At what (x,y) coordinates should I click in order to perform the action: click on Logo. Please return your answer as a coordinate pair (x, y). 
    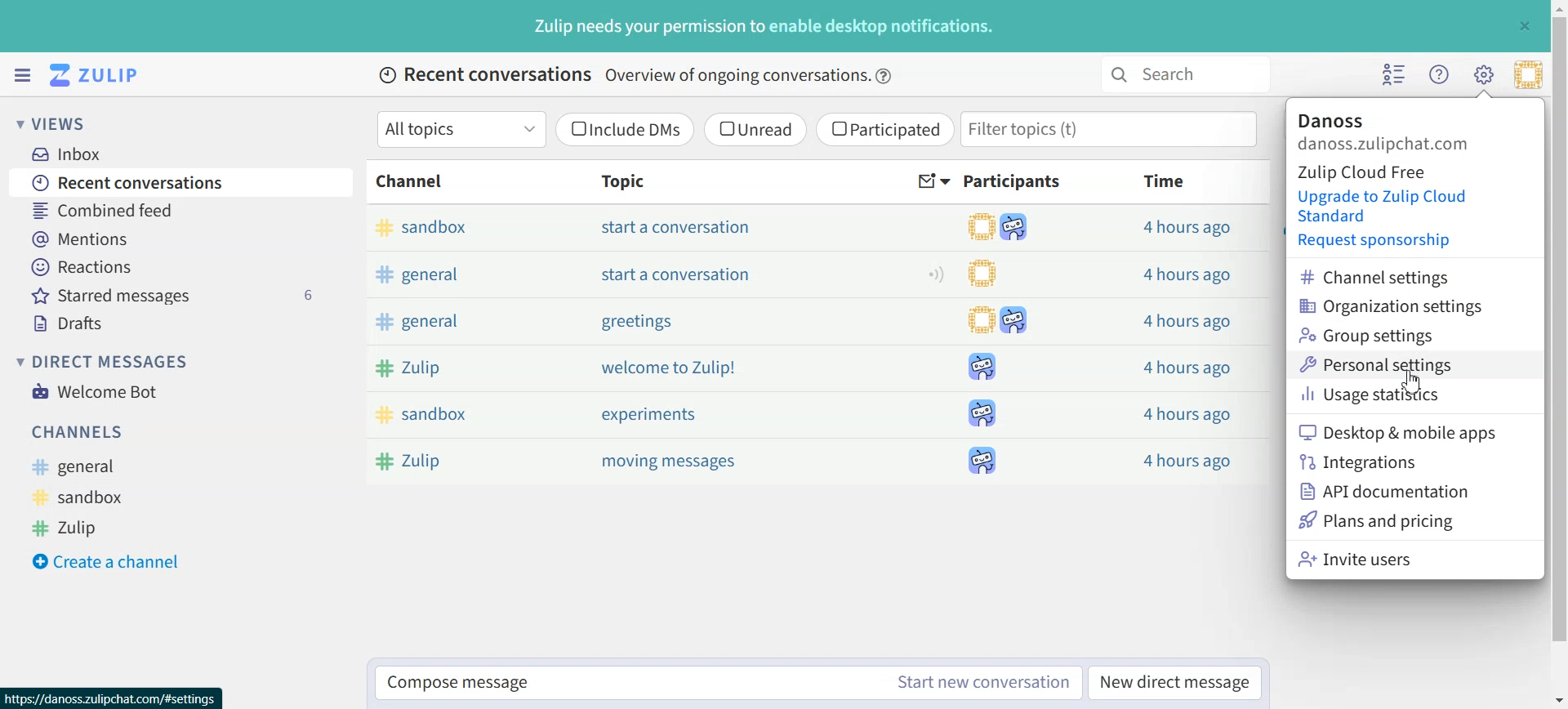
    Looking at the image, I should click on (97, 75).